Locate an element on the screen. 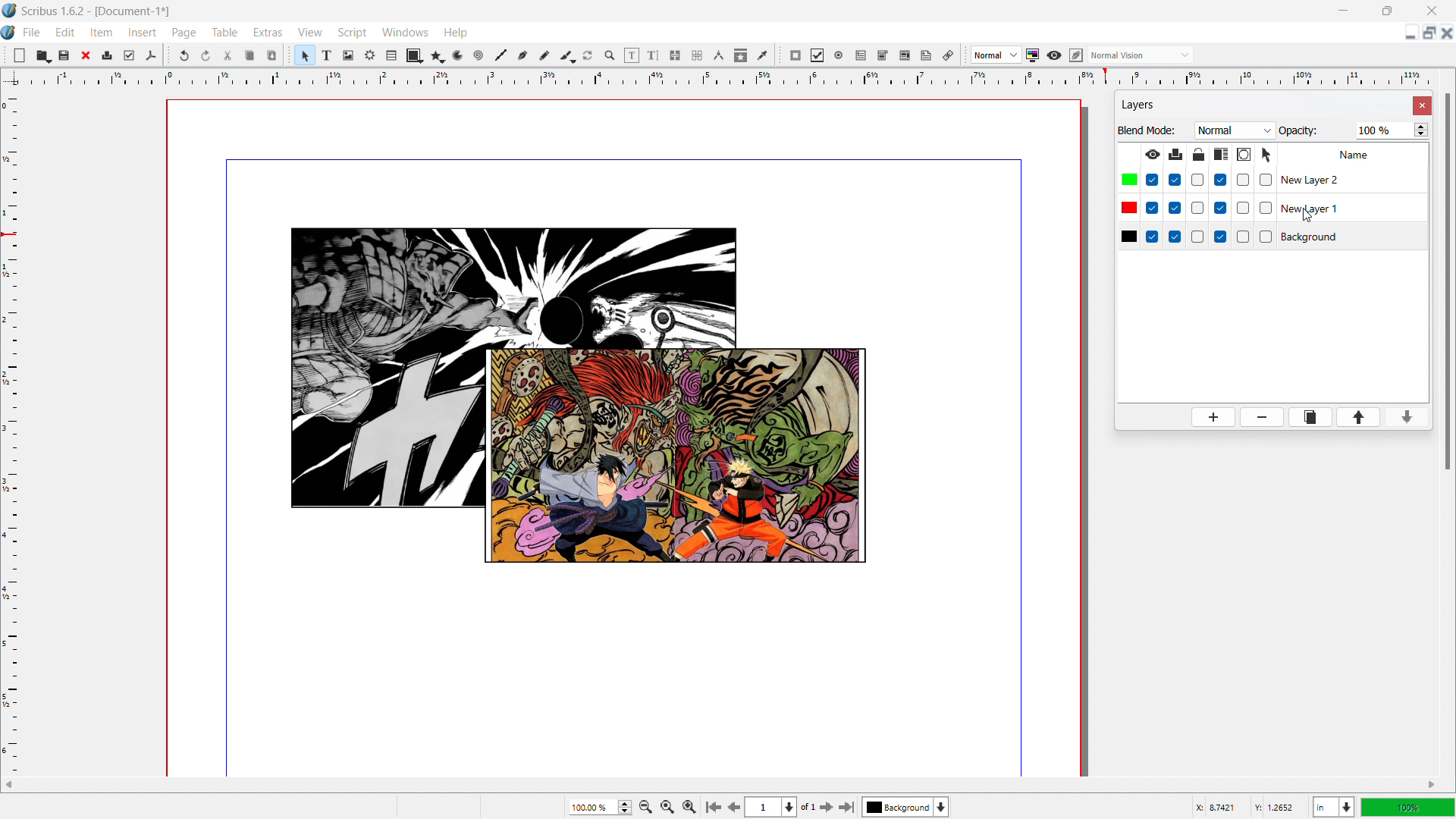  windows is located at coordinates (403, 32).